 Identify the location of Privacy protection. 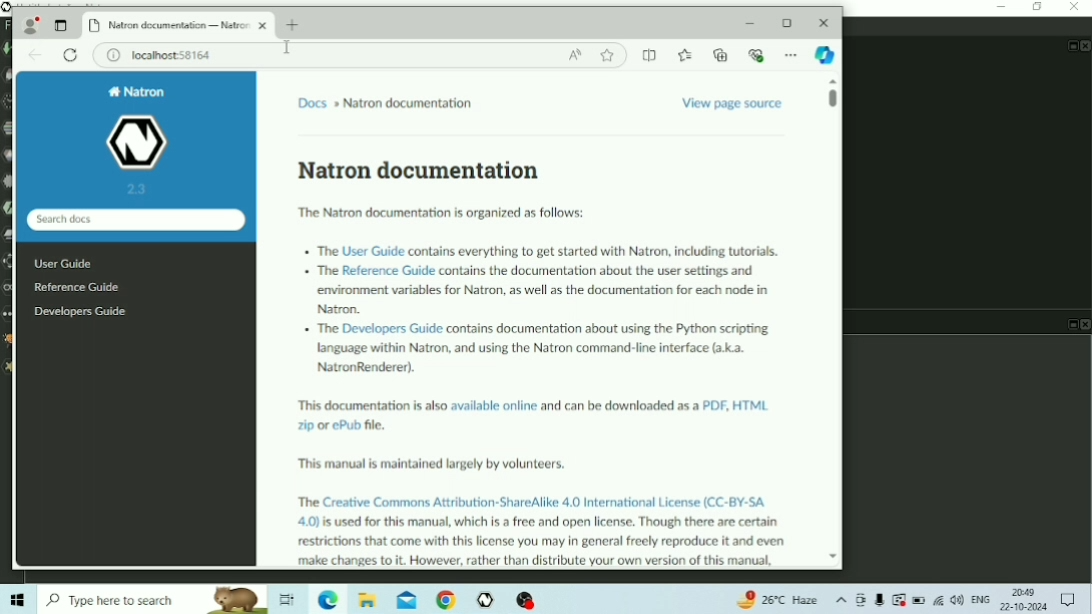
(758, 57).